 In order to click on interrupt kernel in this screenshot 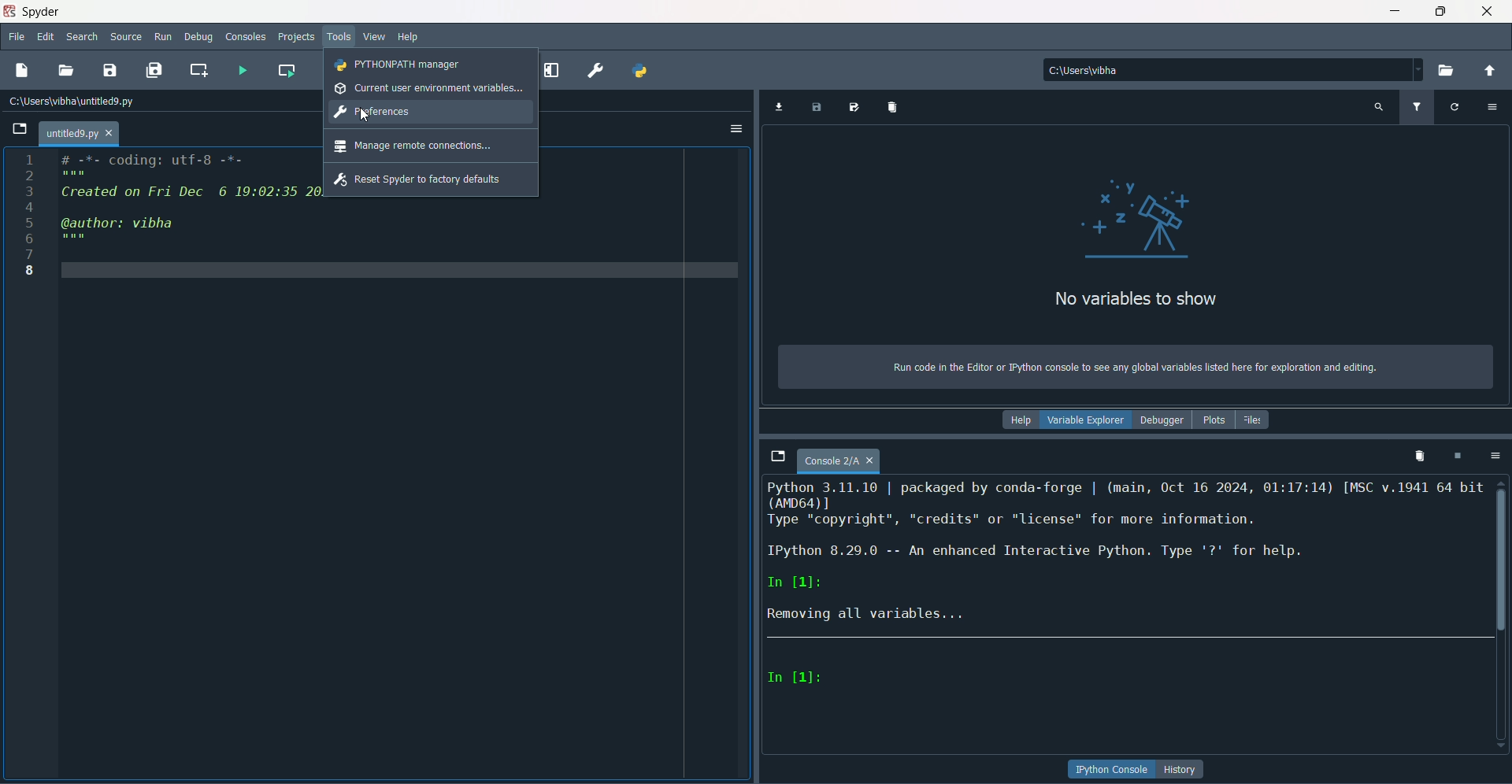, I will do `click(1456, 456)`.